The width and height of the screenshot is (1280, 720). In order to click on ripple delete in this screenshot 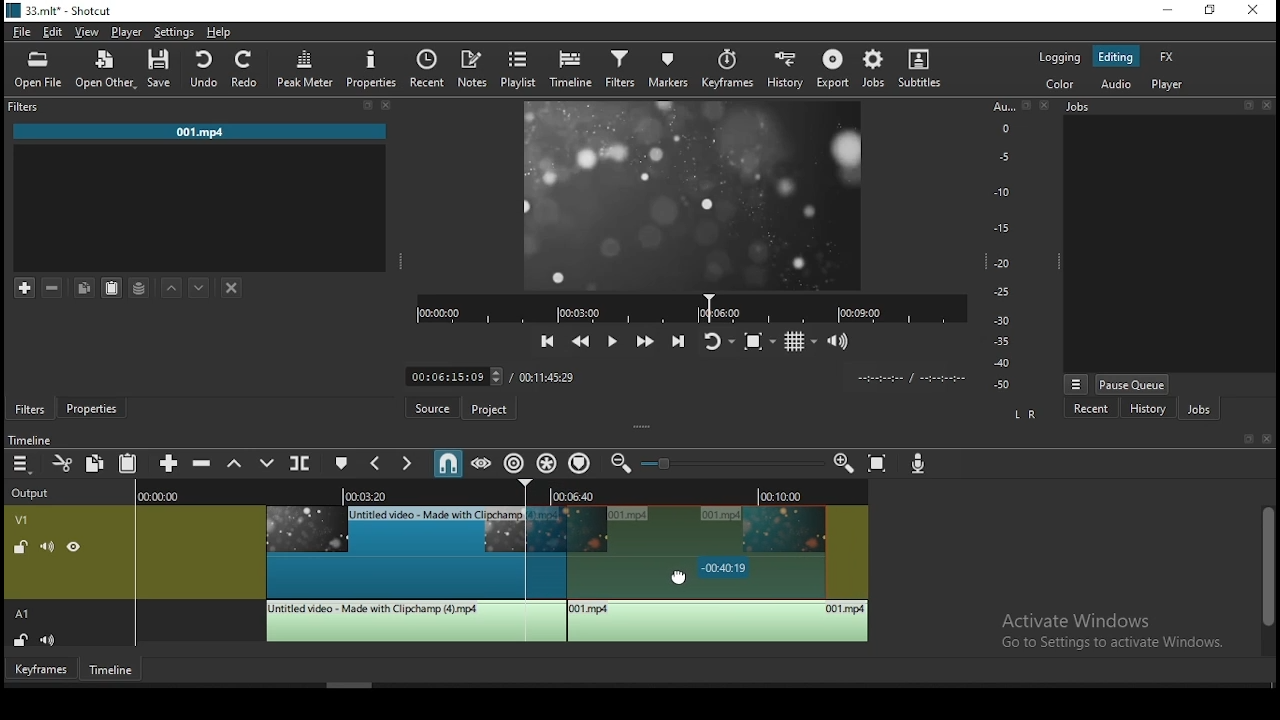, I will do `click(203, 464)`.